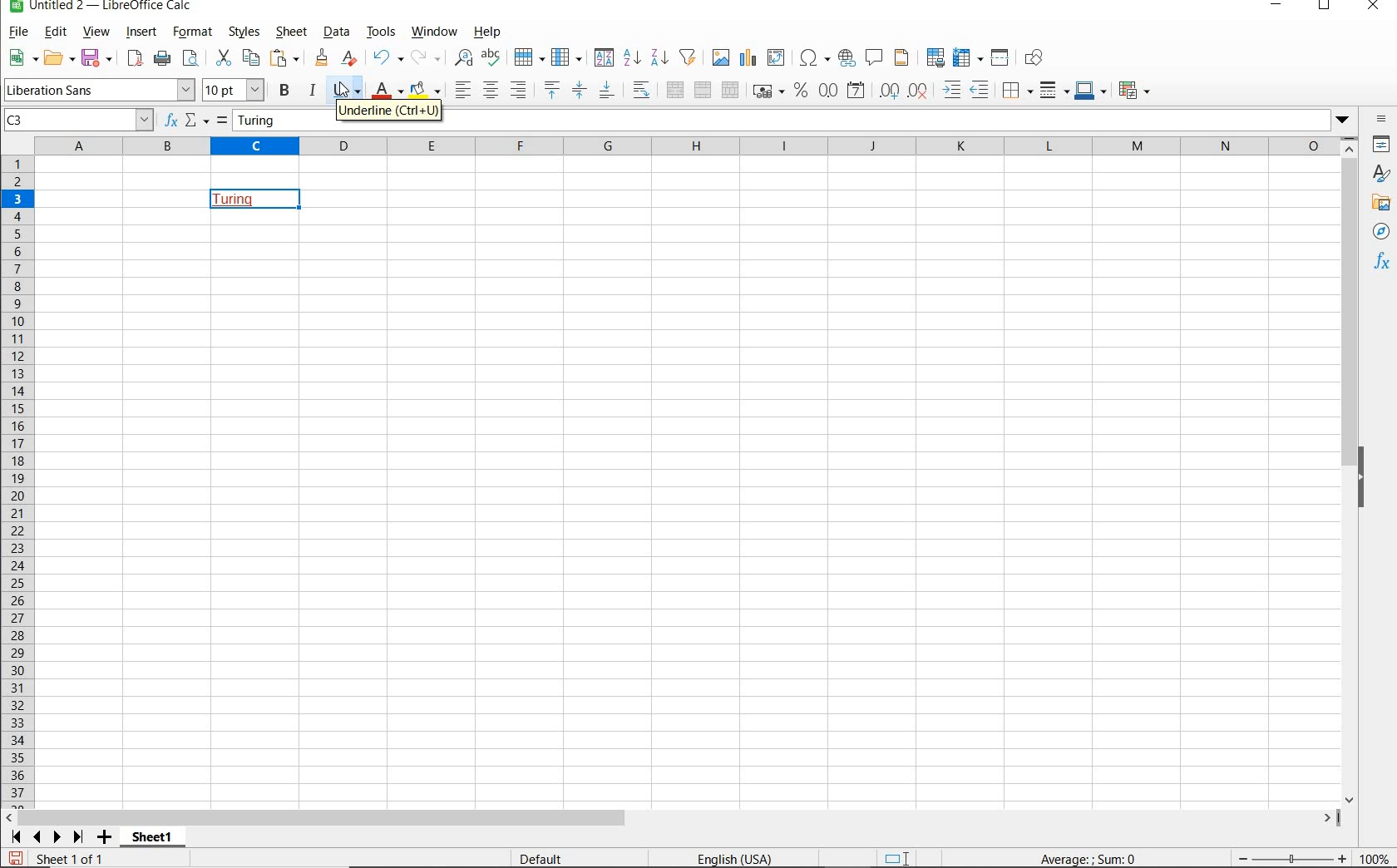 Image resolution: width=1397 pixels, height=868 pixels. What do you see at coordinates (566, 58) in the screenshot?
I see `COLUMN` at bounding box center [566, 58].